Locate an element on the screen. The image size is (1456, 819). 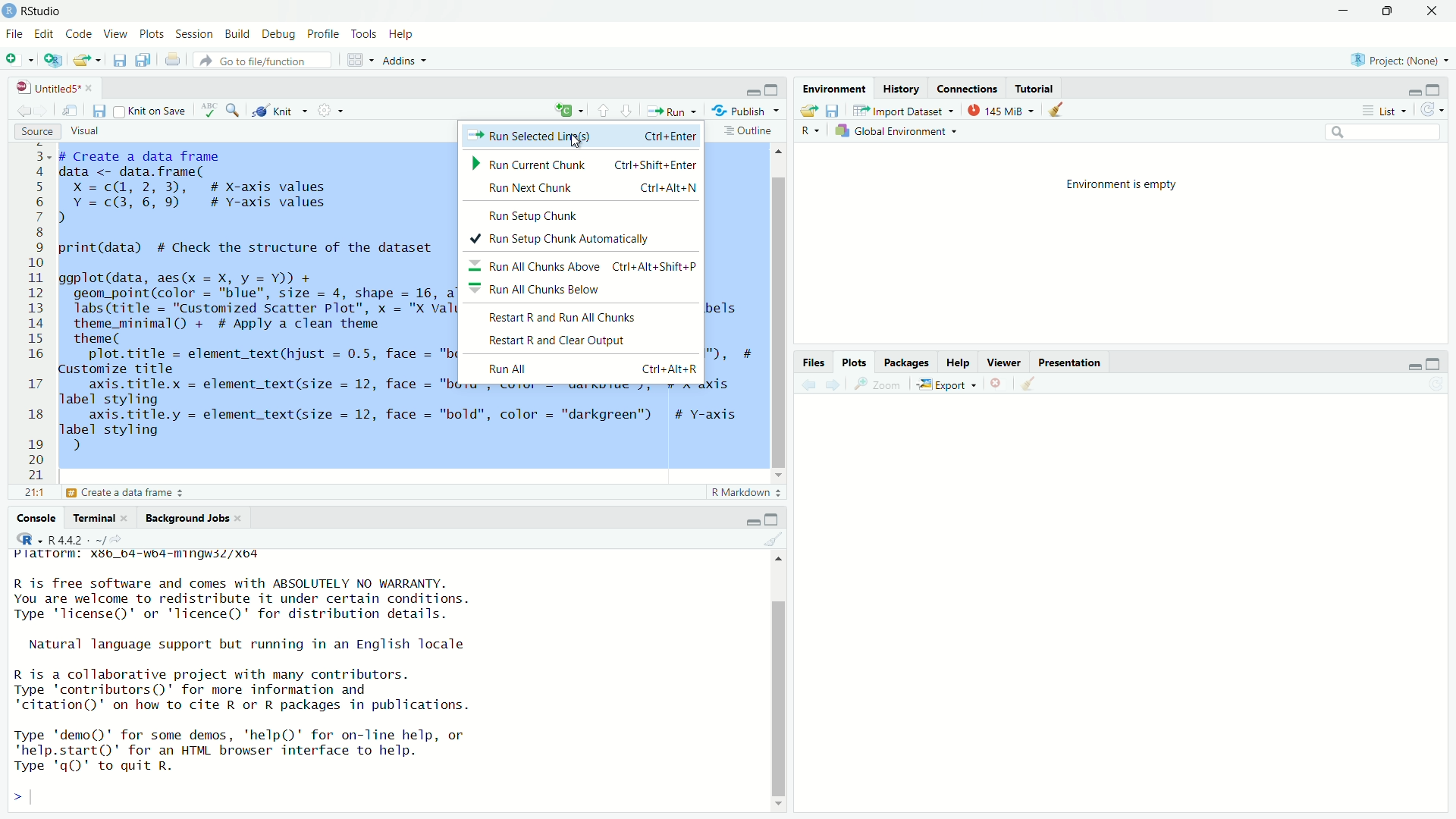
Open an existing file is located at coordinates (88, 60).